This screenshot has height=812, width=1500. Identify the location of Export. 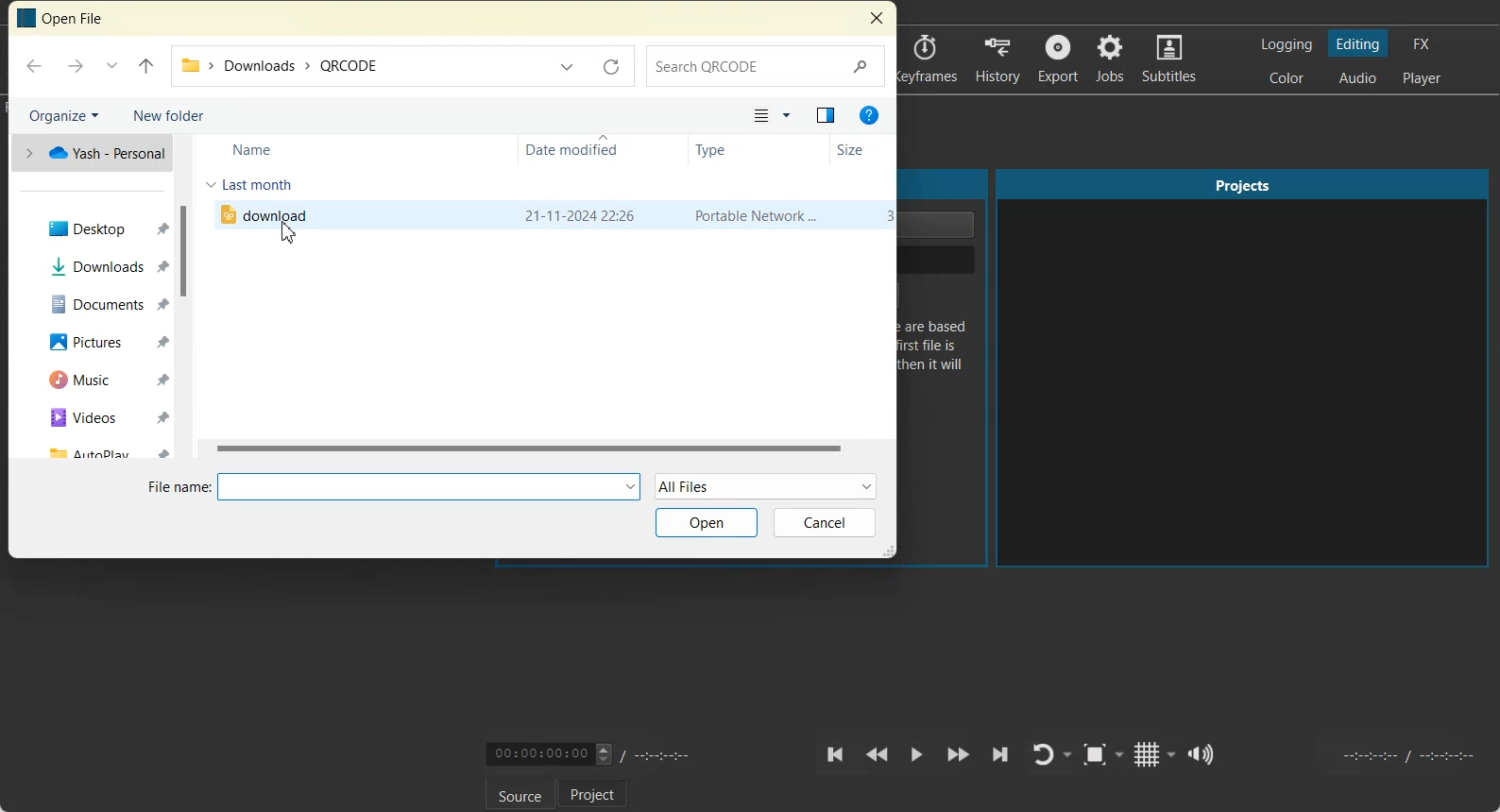
(1058, 59).